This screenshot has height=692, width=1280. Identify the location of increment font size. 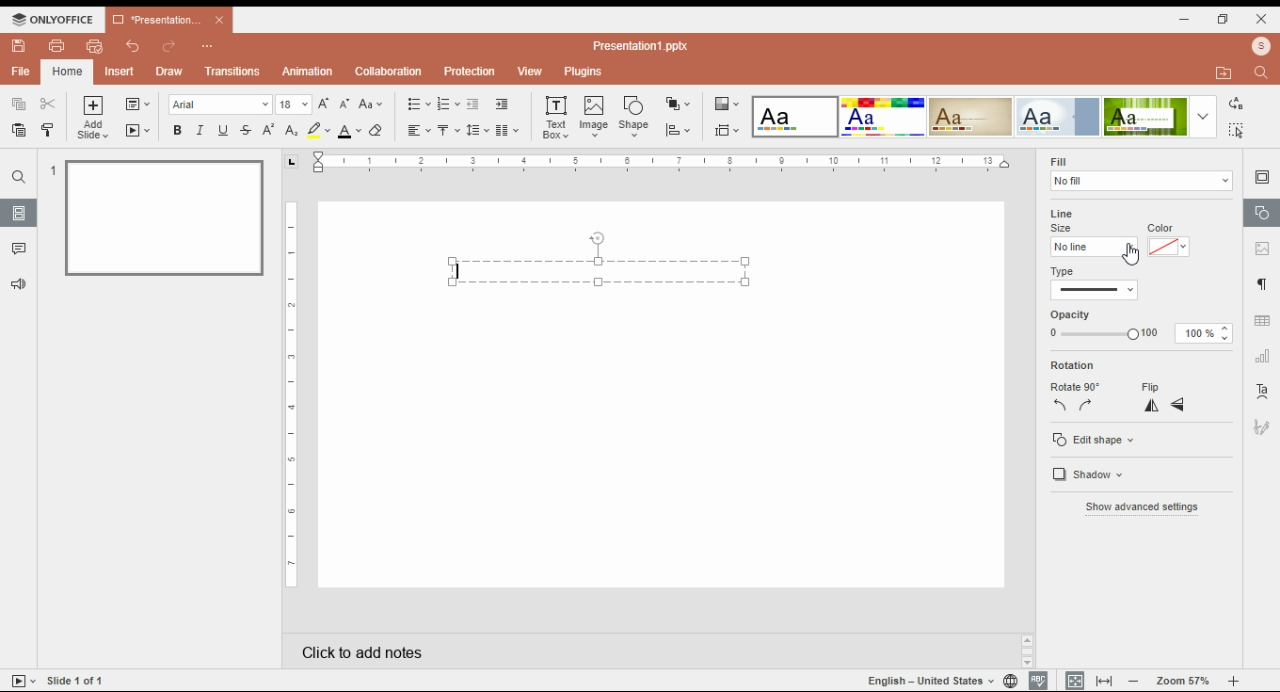
(325, 102).